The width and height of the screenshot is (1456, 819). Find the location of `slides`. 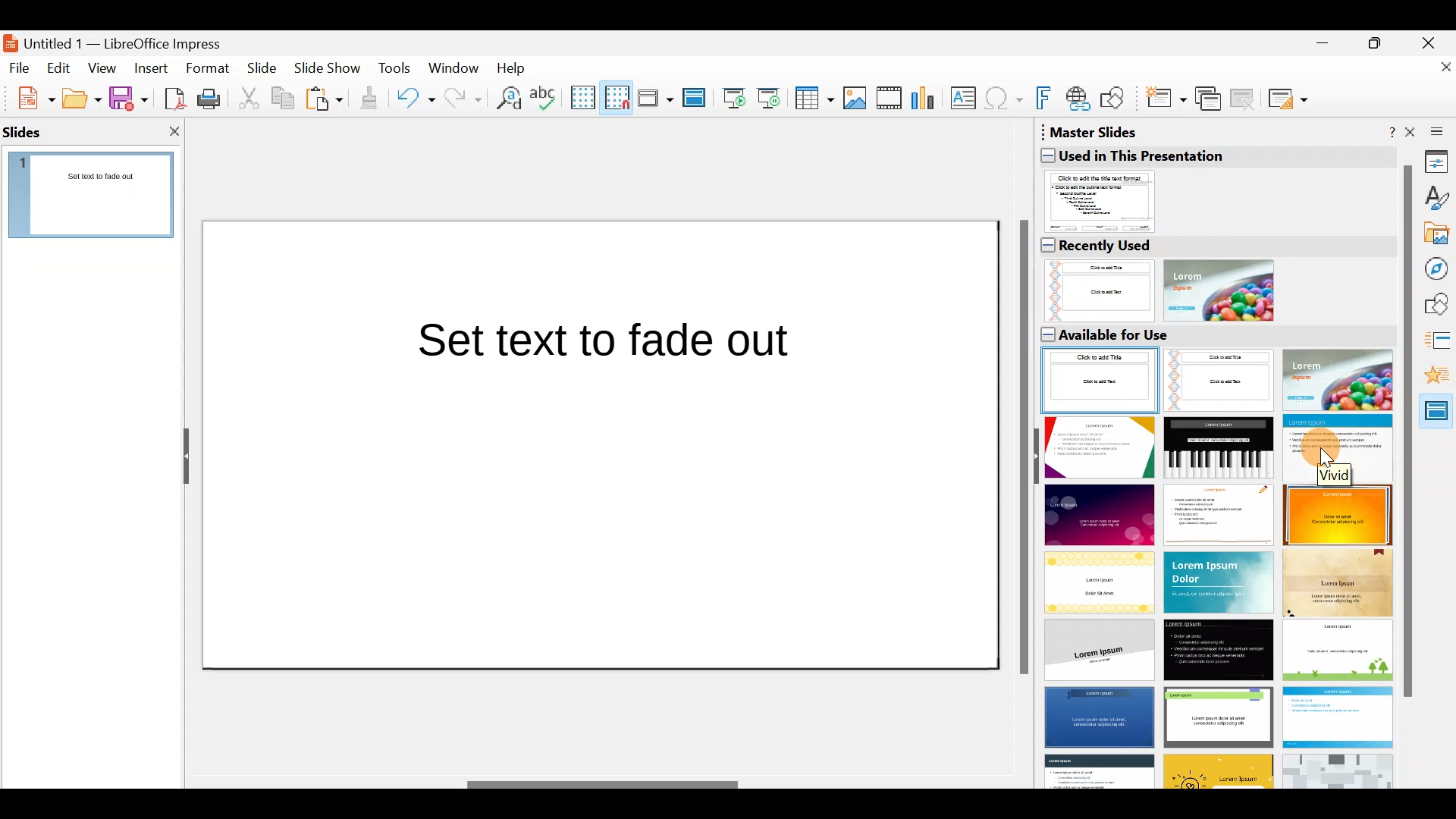

slides is located at coordinates (28, 132).